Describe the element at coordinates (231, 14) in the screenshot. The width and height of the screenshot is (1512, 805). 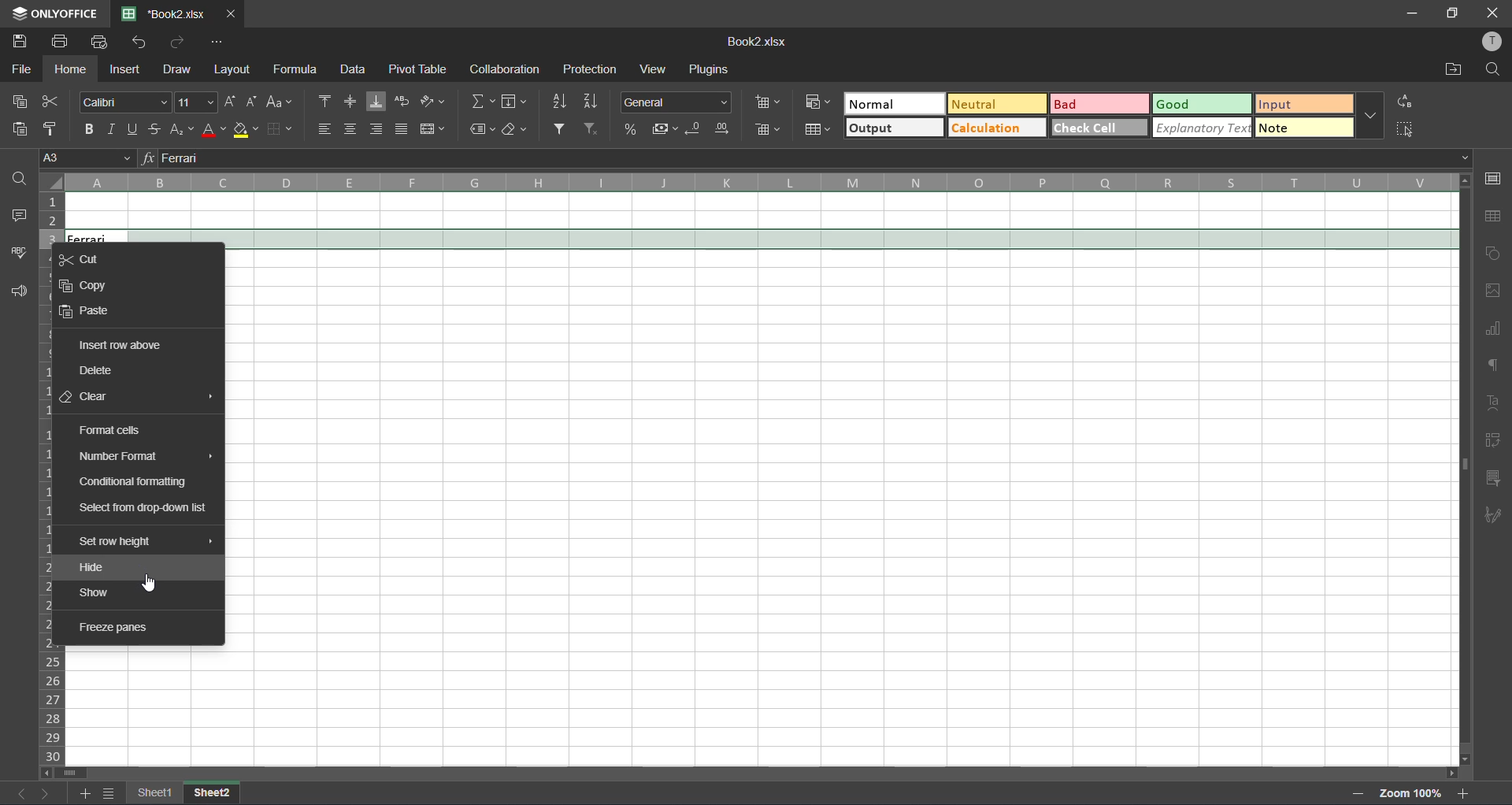
I see `close` at that location.